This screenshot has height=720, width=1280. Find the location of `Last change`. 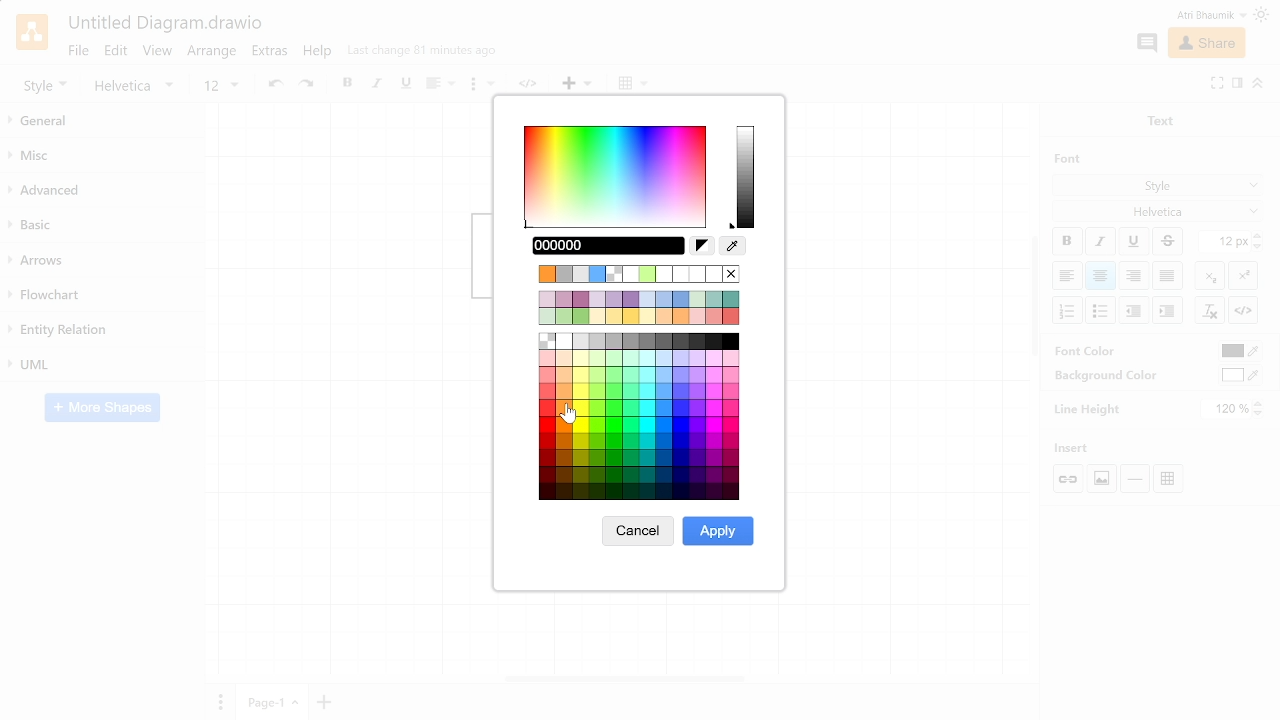

Last change is located at coordinates (422, 55).